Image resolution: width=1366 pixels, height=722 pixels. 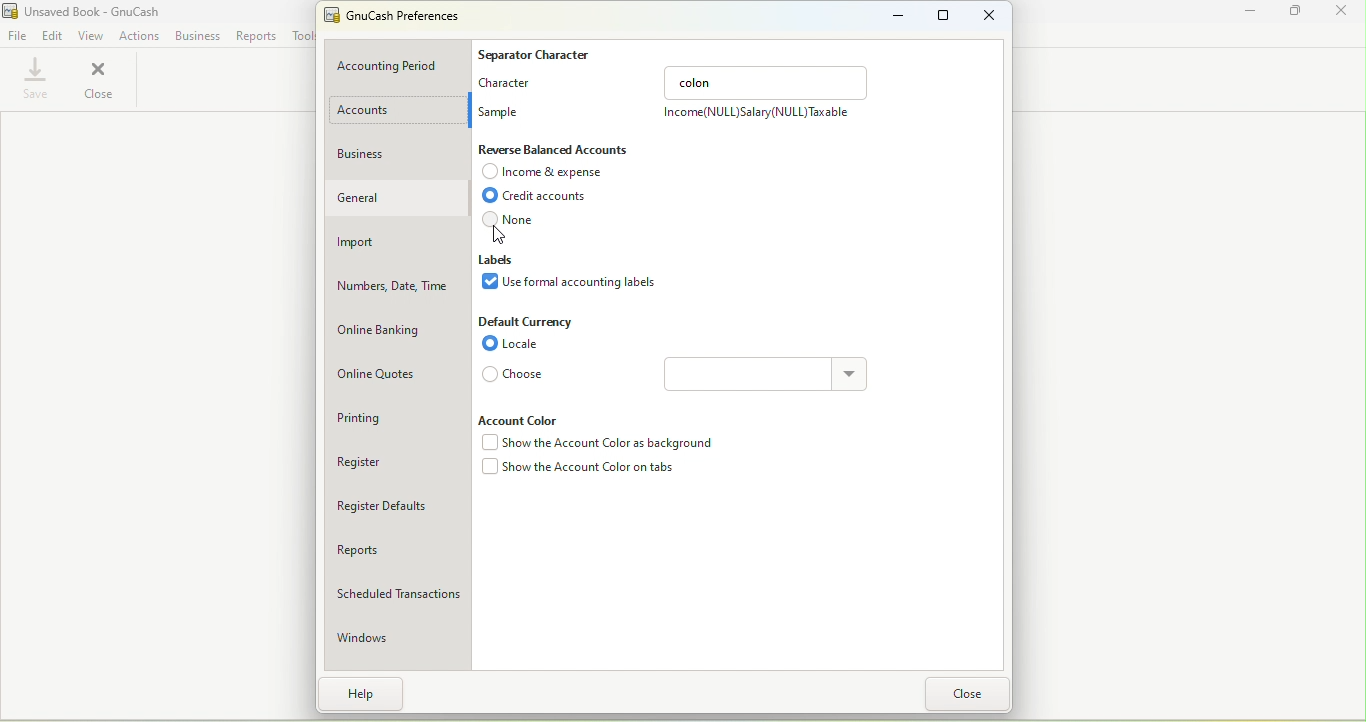 I want to click on Text box, so click(x=742, y=375).